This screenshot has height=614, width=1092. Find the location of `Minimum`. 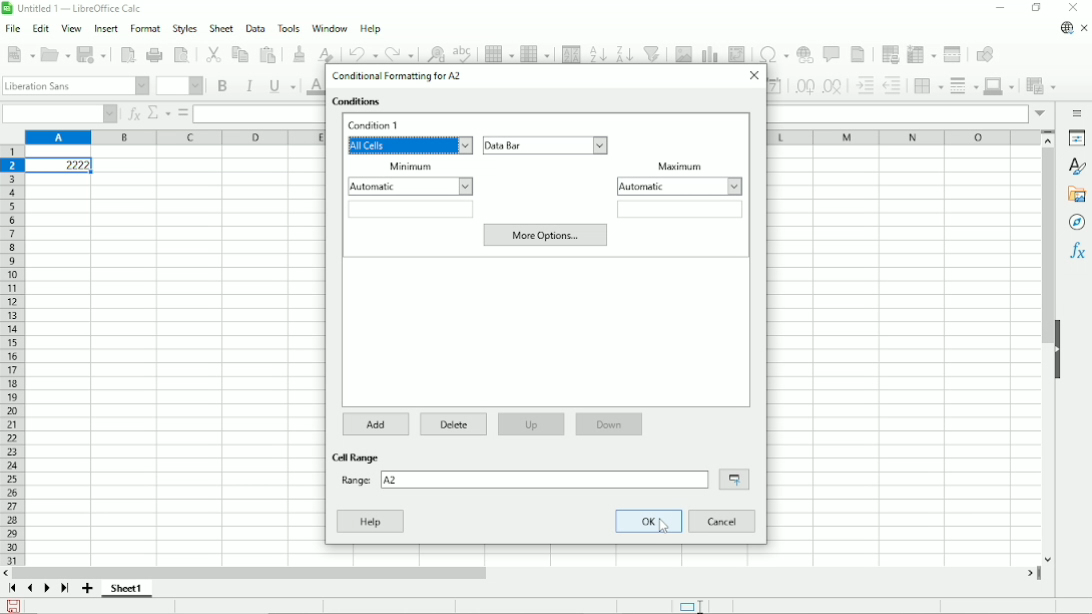

Minimum is located at coordinates (409, 166).